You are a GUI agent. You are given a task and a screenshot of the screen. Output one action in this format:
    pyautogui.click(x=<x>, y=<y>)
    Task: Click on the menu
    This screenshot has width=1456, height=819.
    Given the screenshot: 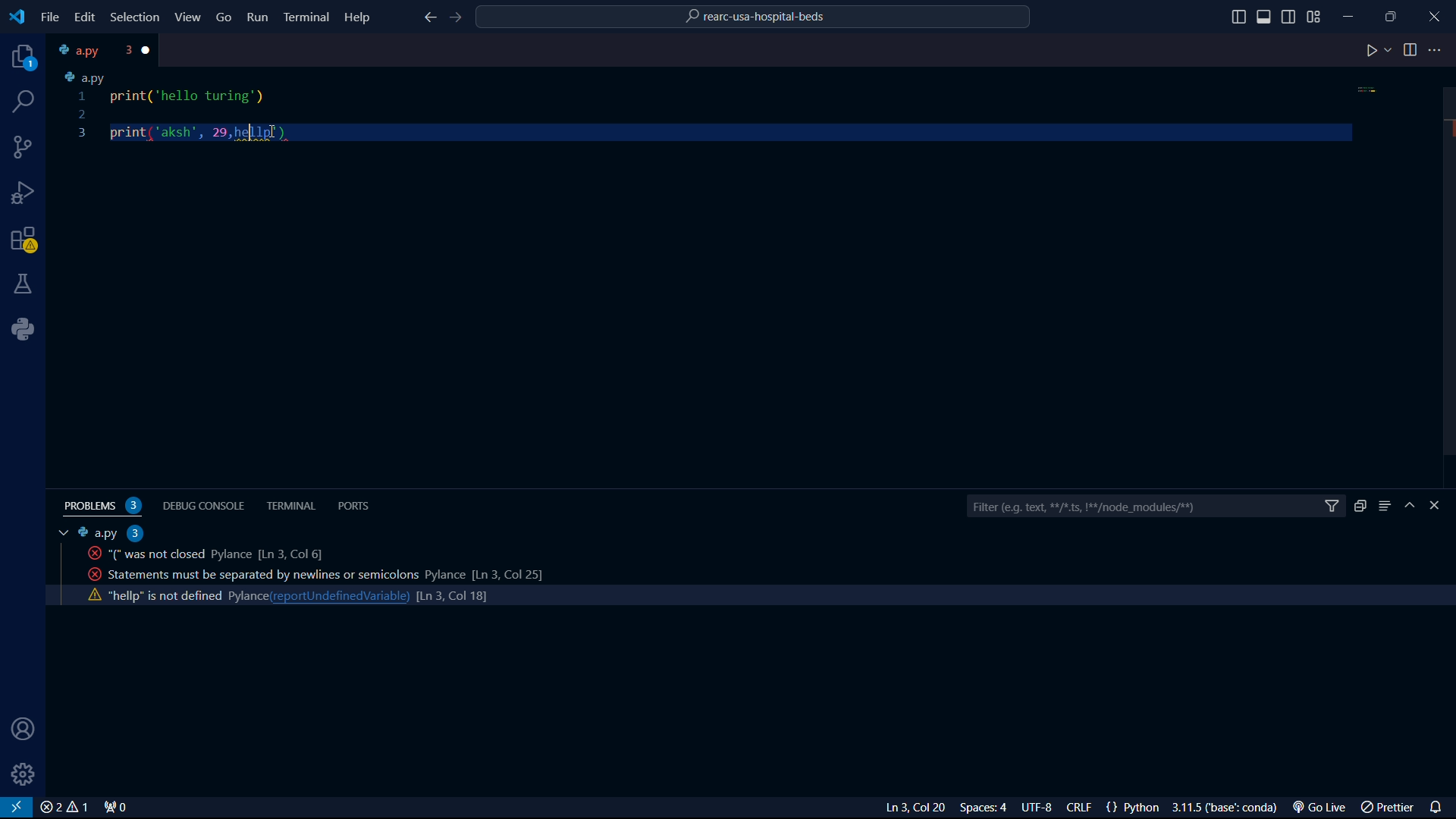 What is the action you would take?
    pyautogui.click(x=1385, y=506)
    